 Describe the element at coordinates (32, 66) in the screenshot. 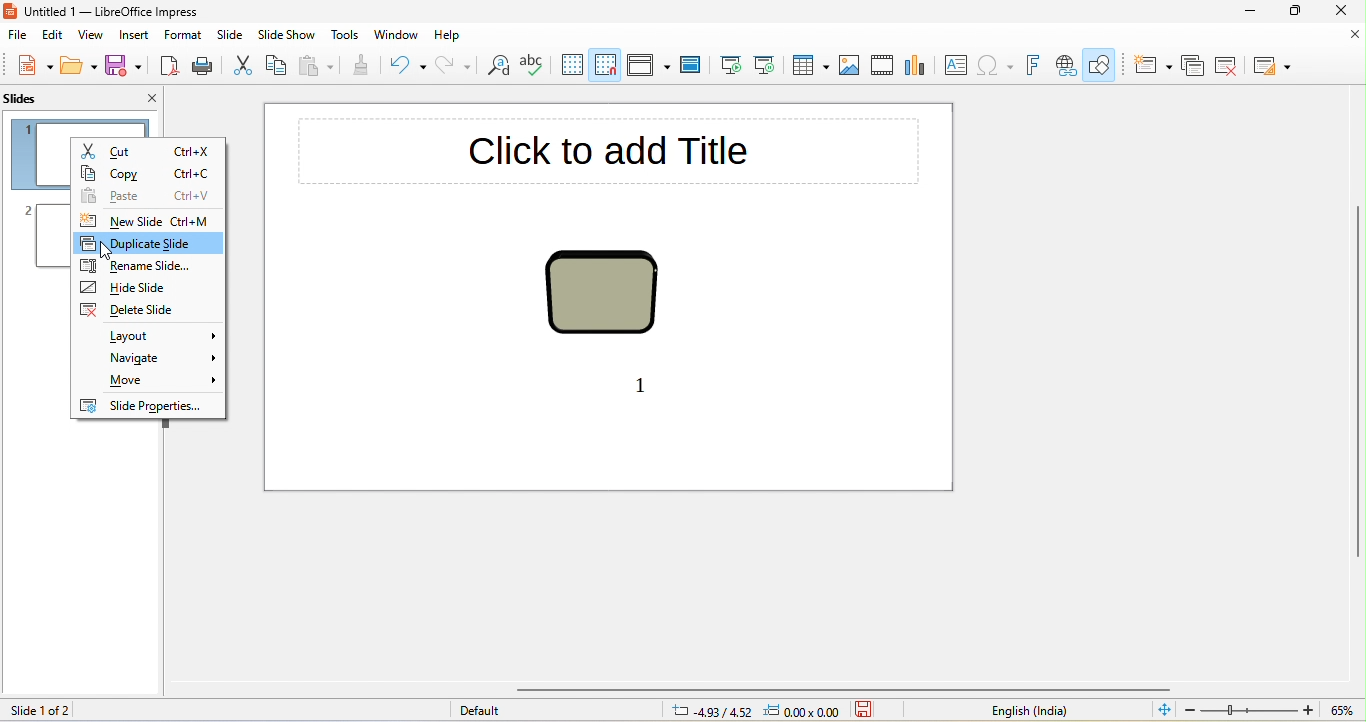

I see `new` at that location.